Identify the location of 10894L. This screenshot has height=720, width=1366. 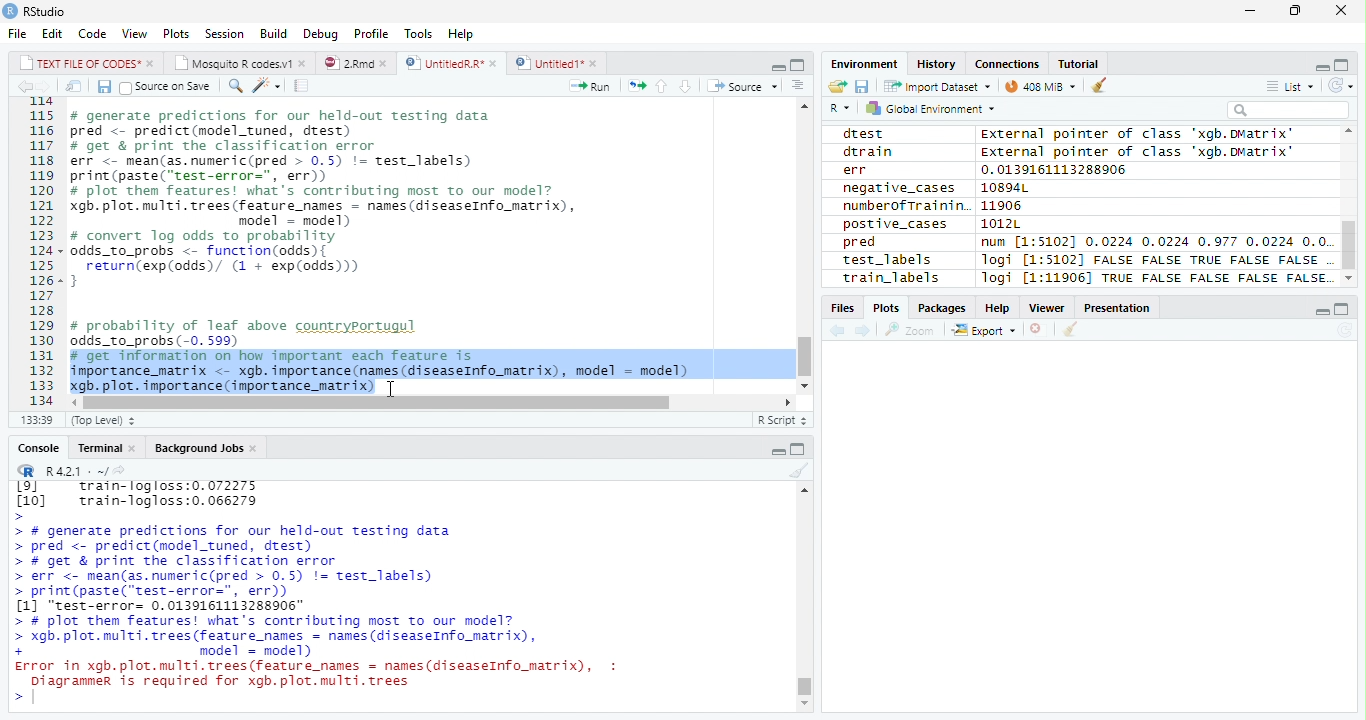
(1008, 188).